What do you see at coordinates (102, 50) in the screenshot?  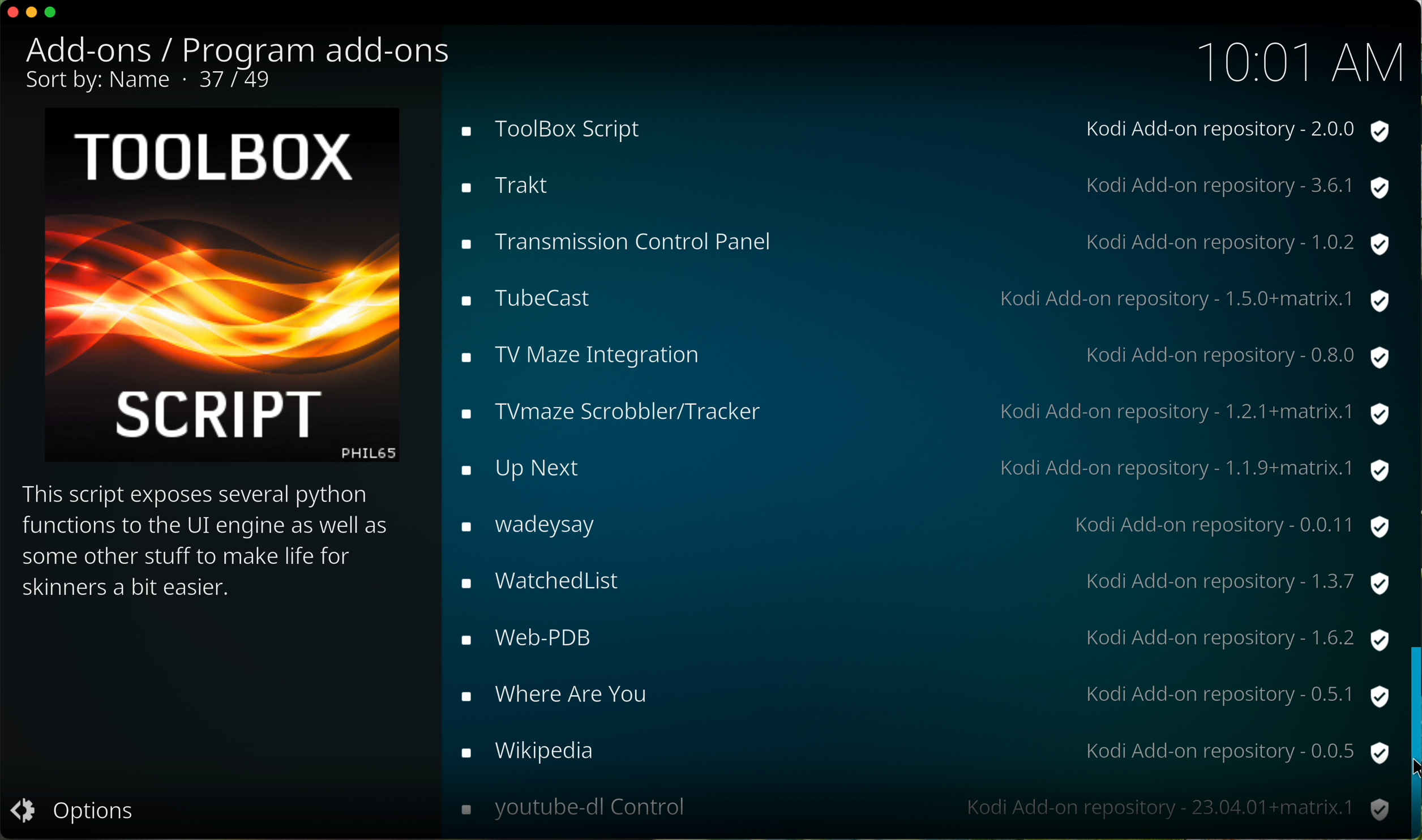 I see `add-ons ` at bounding box center [102, 50].